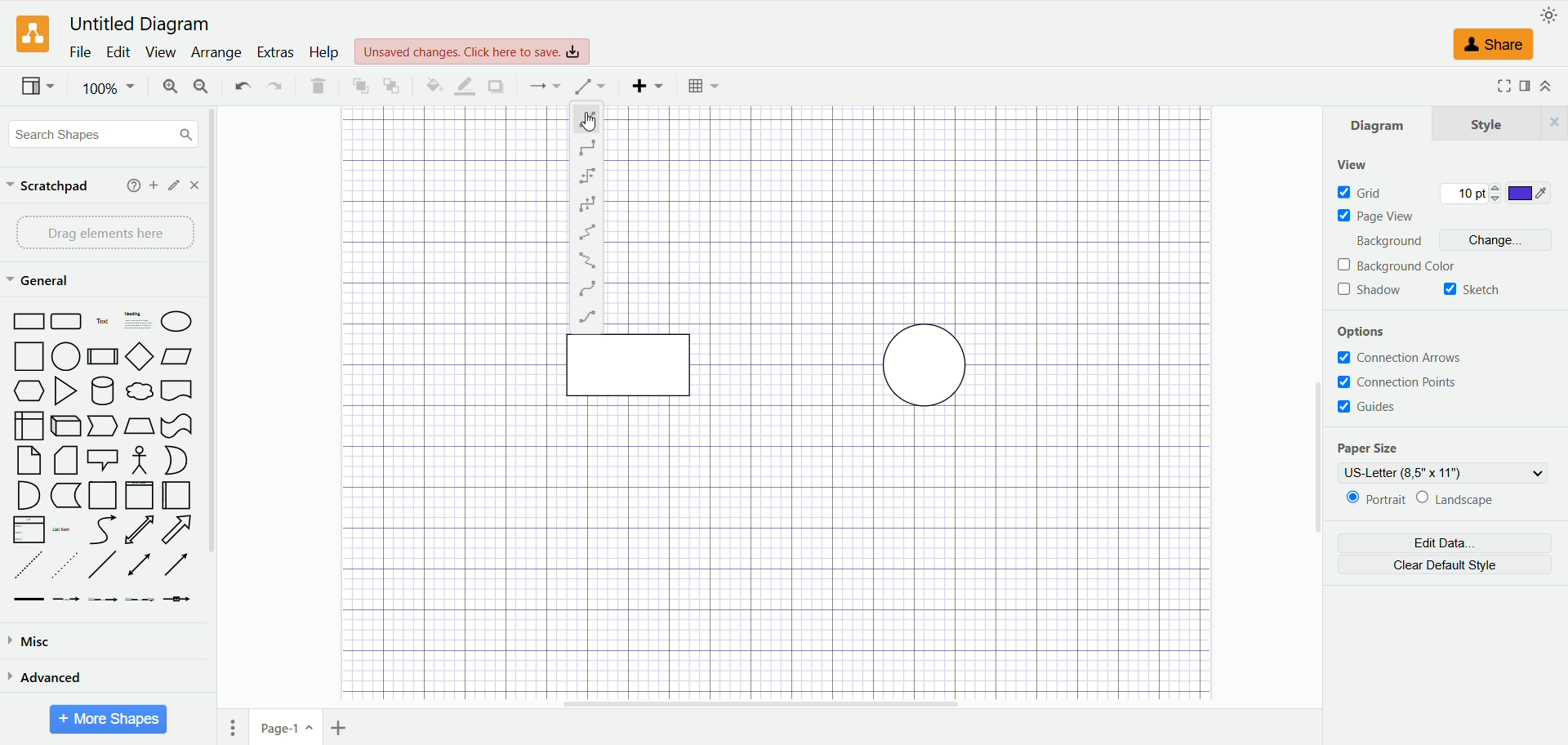 The width and height of the screenshot is (1568, 745). I want to click on Rectangle, so click(30, 321).